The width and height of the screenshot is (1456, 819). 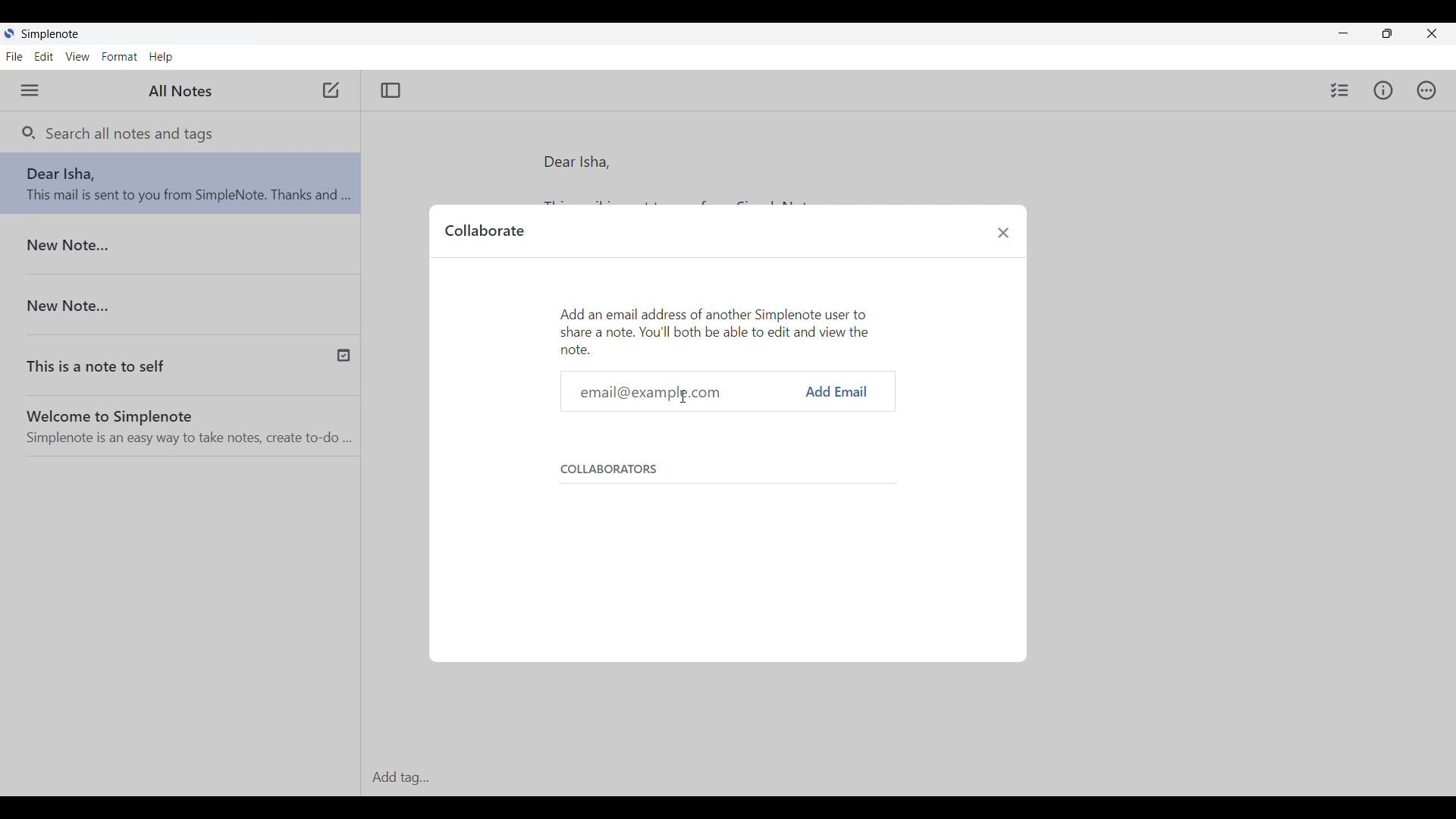 I want to click on Simplenote , so click(x=49, y=33).